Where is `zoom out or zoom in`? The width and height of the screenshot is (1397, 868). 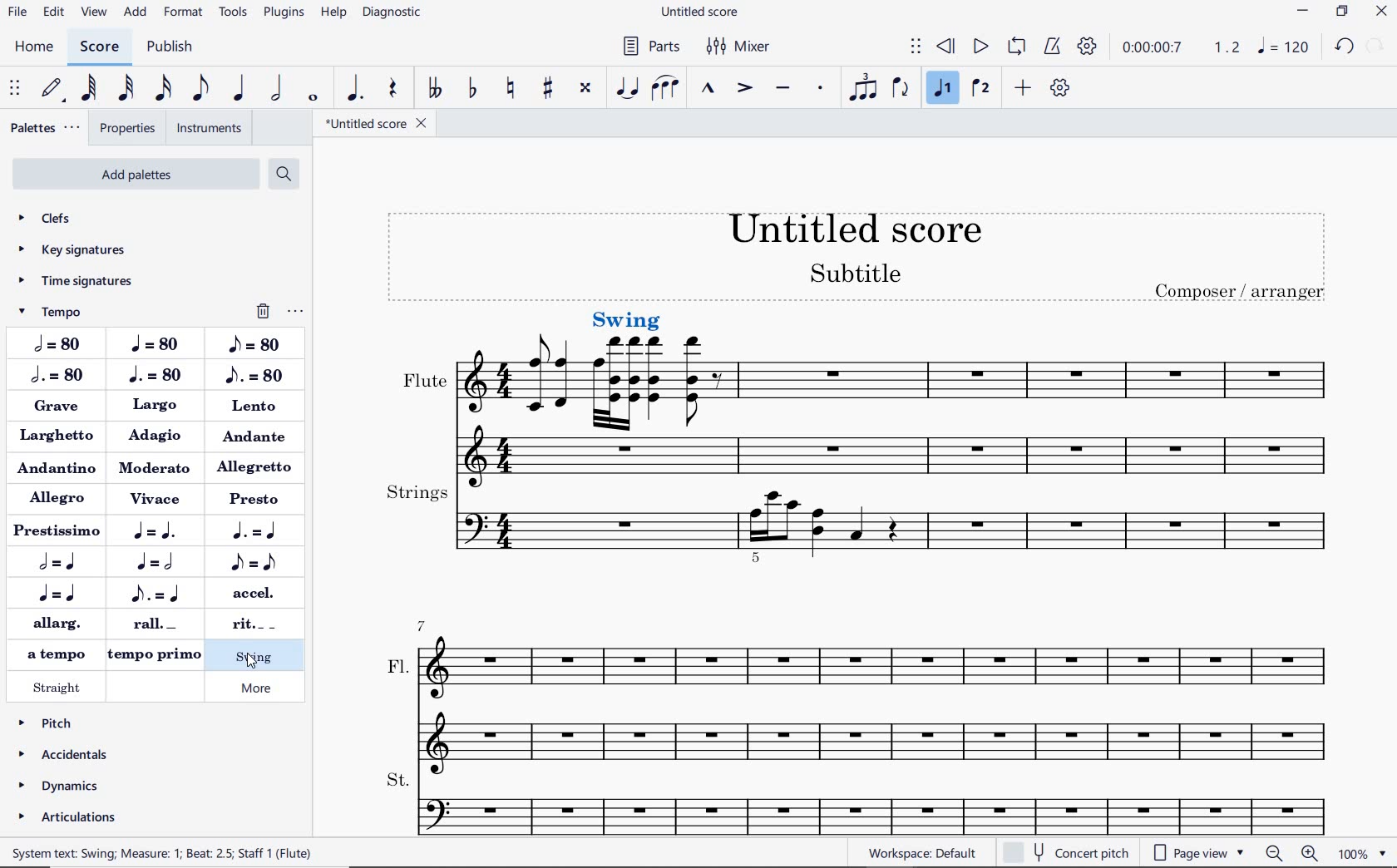
zoom out or zoom in is located at coordinates (1291, 854).